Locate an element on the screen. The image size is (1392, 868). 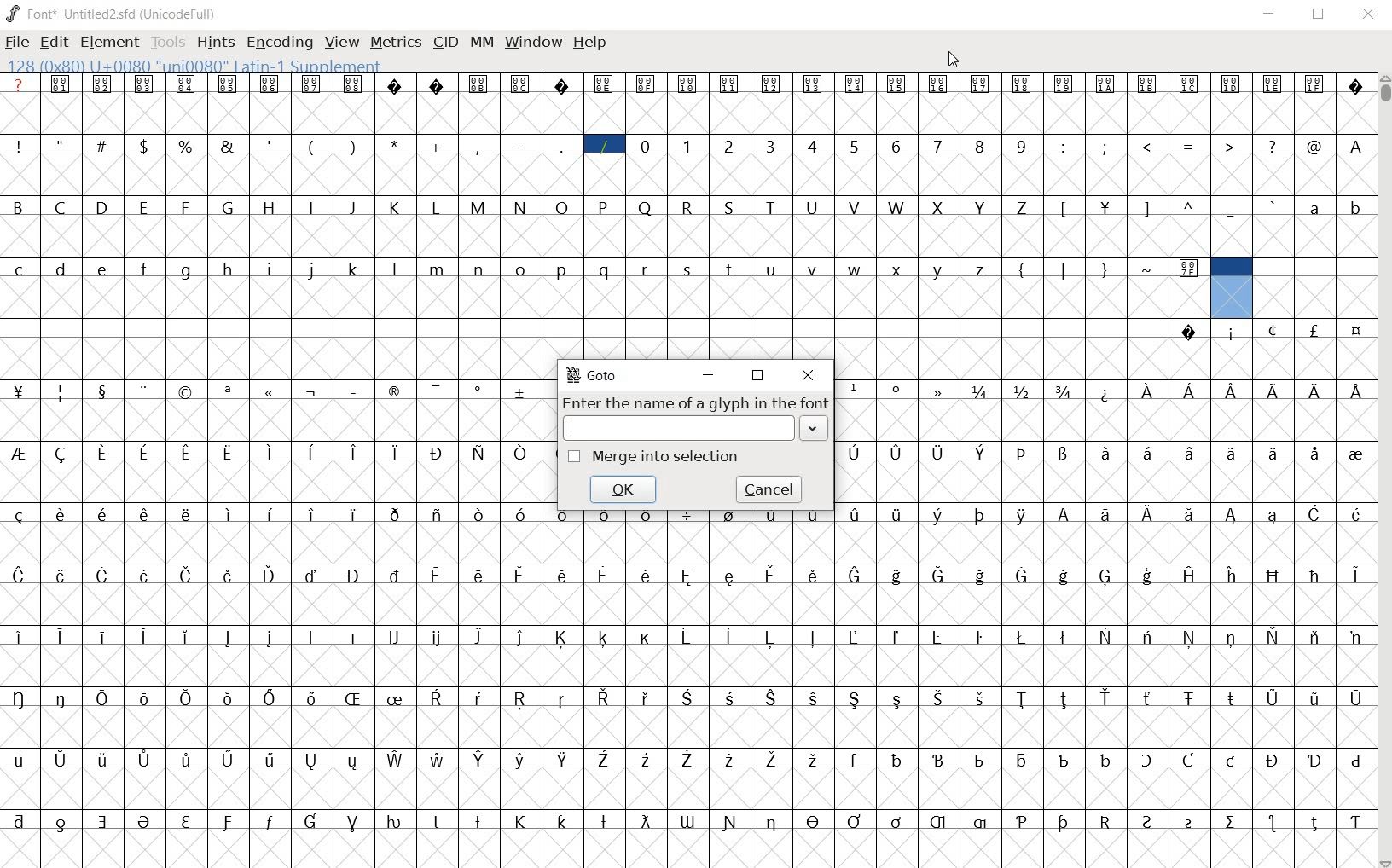
m is located at coordinates (438, 268).